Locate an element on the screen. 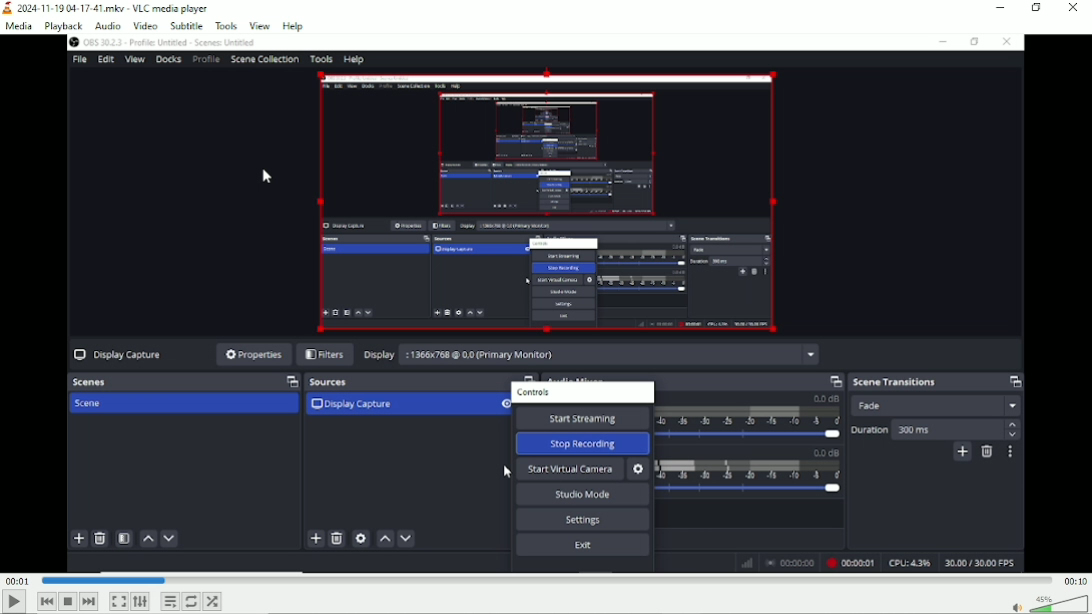 This screenshot has width=1092, height=614. Elapsed time is located at coordinates (17, 580).